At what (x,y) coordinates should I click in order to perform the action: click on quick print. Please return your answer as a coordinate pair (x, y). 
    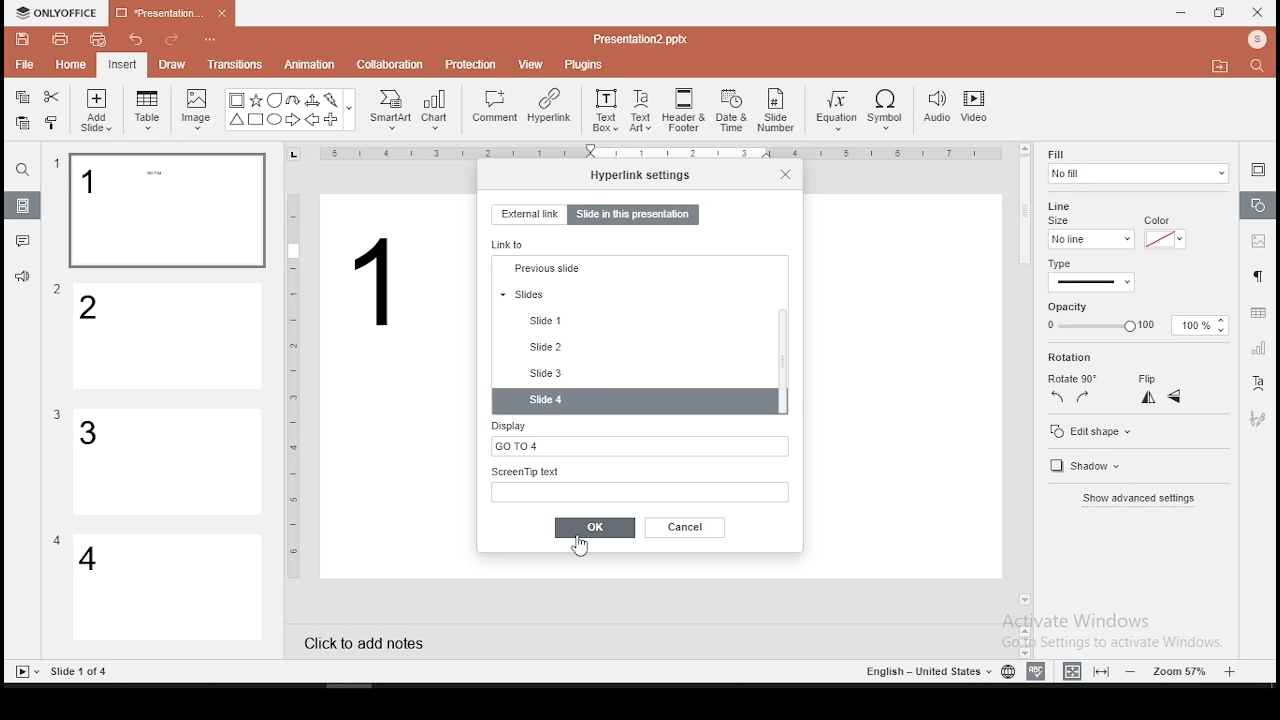
    Looking at the image, I should click on (98, 39).